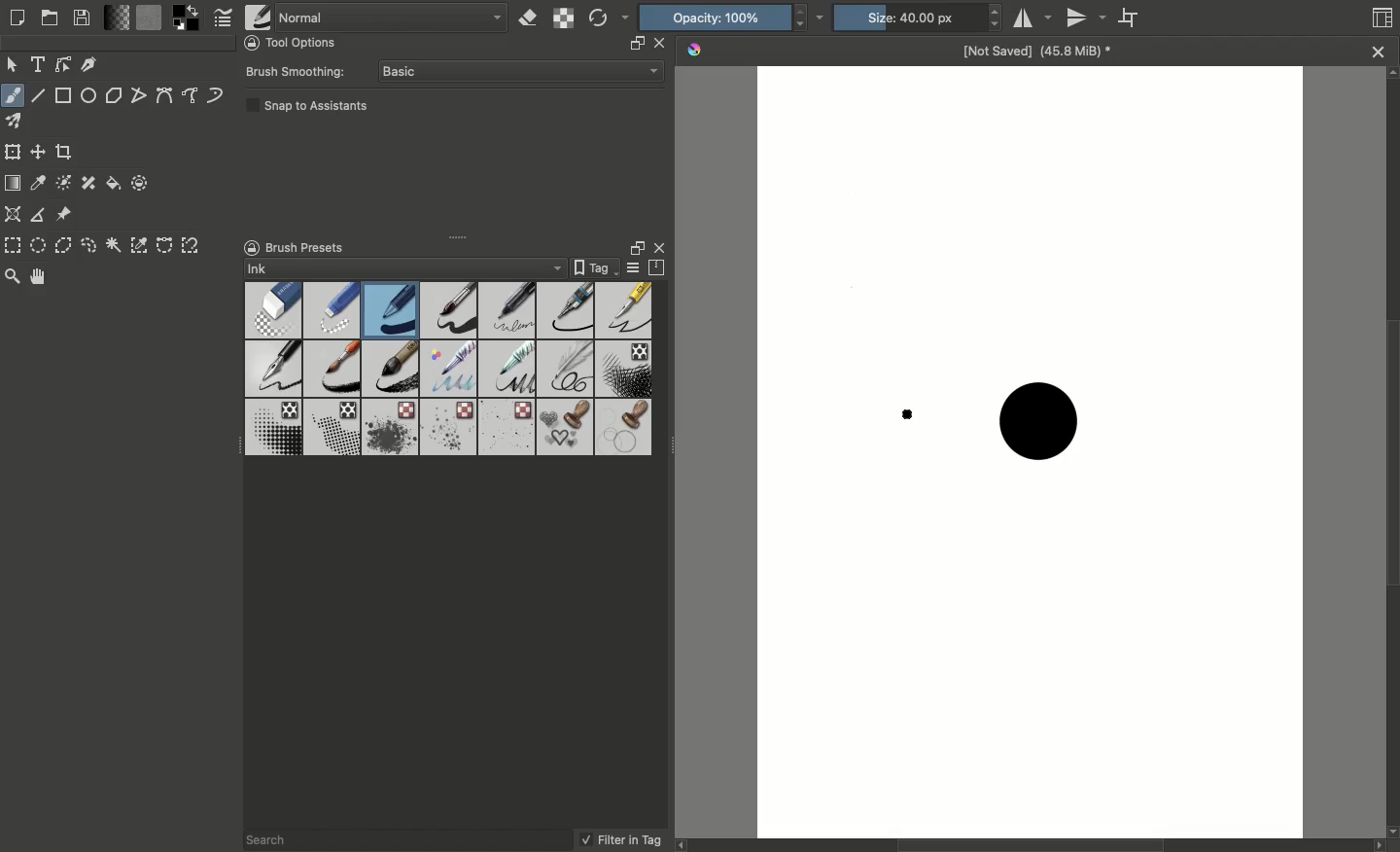 The width and height of the screenshot is (1400, 852). Describe the element at coordinates (565, 18) in the screenshot. I see `Preserve alpha` at that location.